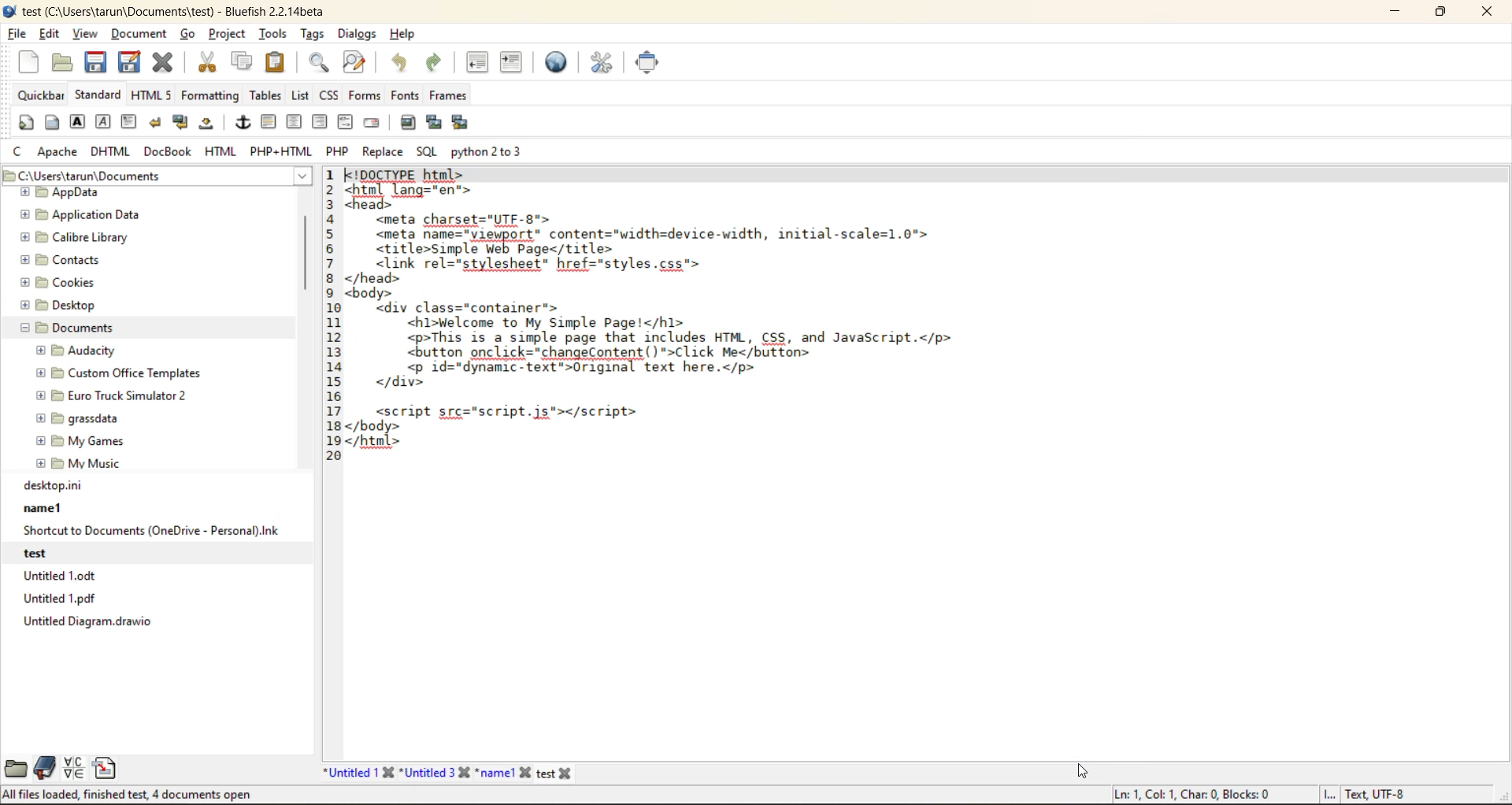  Describe the element at coordinates (354, 64) in the screenshot. I see `find and replace` at that location.